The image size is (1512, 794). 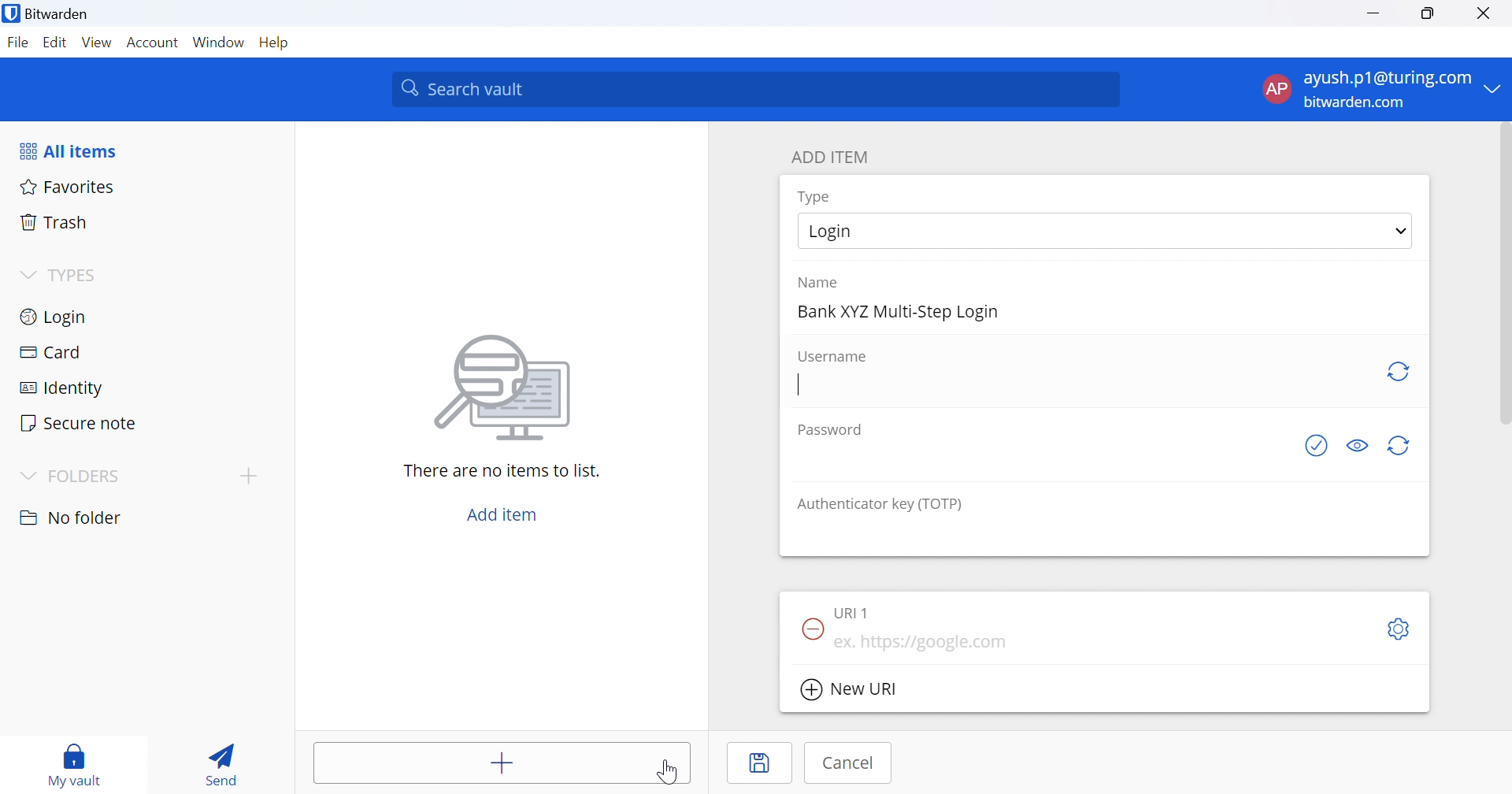 I want to click on File, so click(x=17, y=43).